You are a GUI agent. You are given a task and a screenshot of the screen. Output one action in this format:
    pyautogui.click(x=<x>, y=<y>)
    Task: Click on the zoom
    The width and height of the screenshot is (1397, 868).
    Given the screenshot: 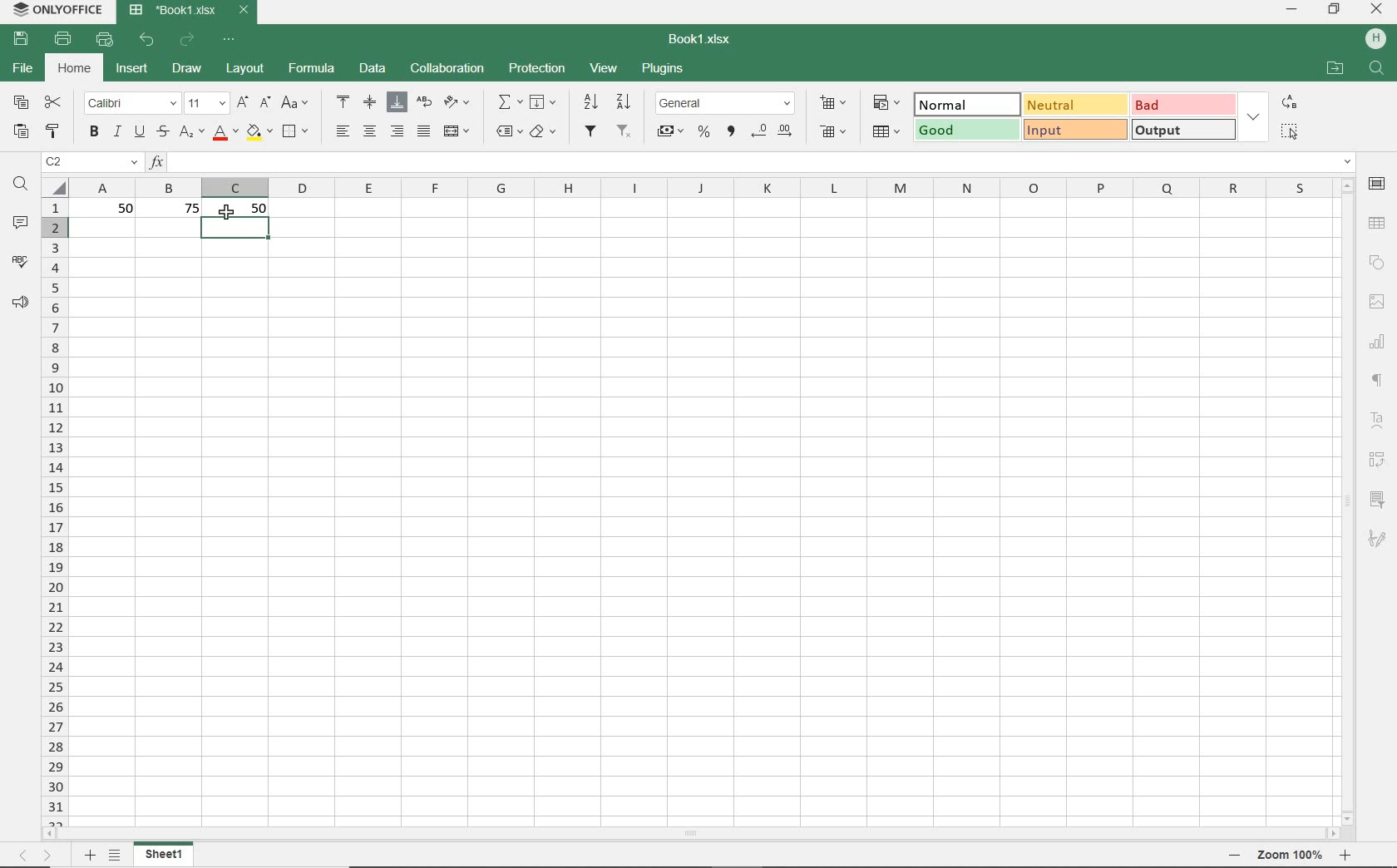 What is the action you would take?
    pyautogui.click(x=1287, y=856)
    